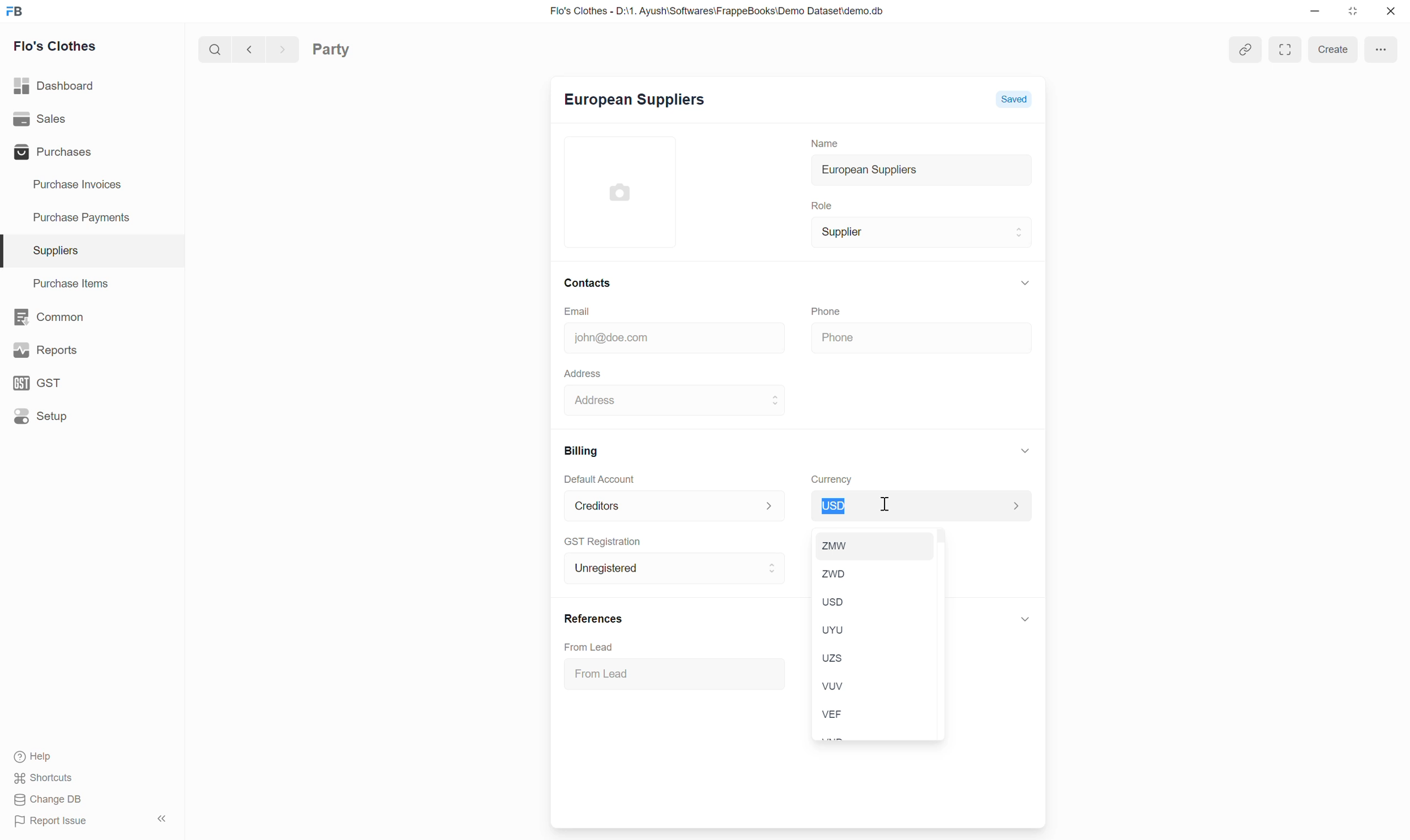 The image size is (1410, 840). Describe the element at coordinates (1284, 50) in the screenshot. I see `Expand` at that location.